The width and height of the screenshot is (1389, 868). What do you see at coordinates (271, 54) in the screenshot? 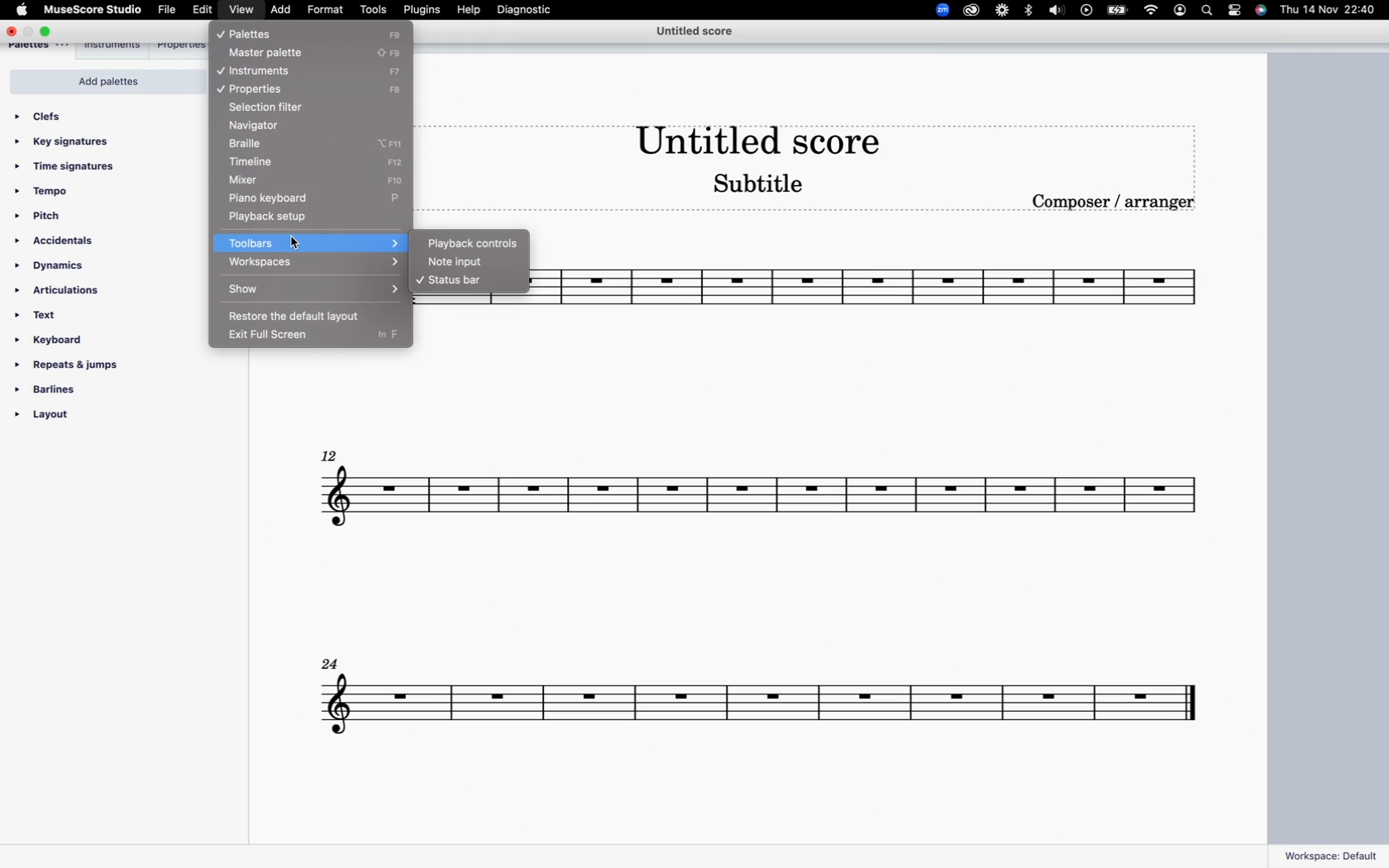
I see `master palette` at bounding box center [271, 54].